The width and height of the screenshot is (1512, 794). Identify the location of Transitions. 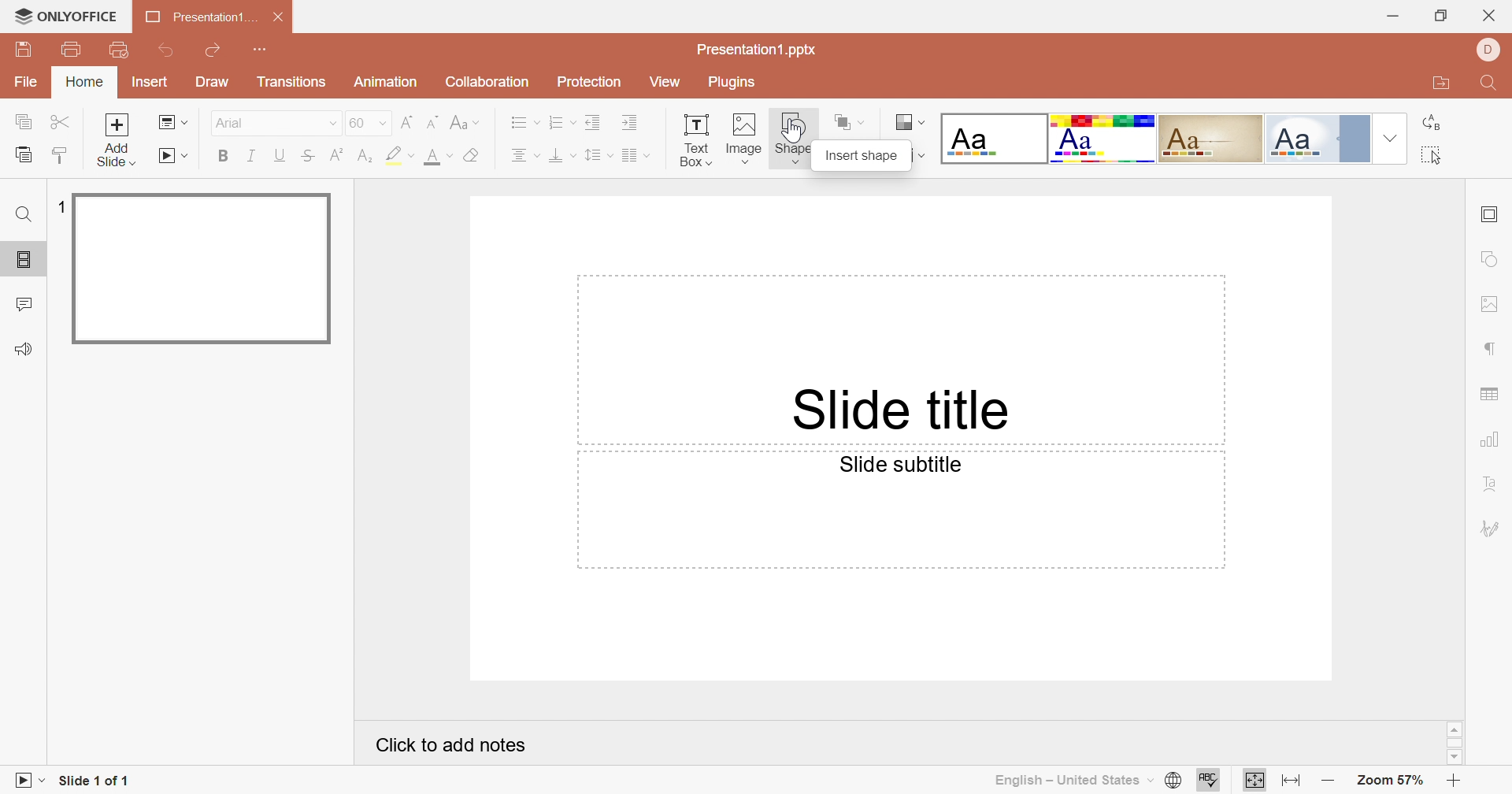
(292, 81).